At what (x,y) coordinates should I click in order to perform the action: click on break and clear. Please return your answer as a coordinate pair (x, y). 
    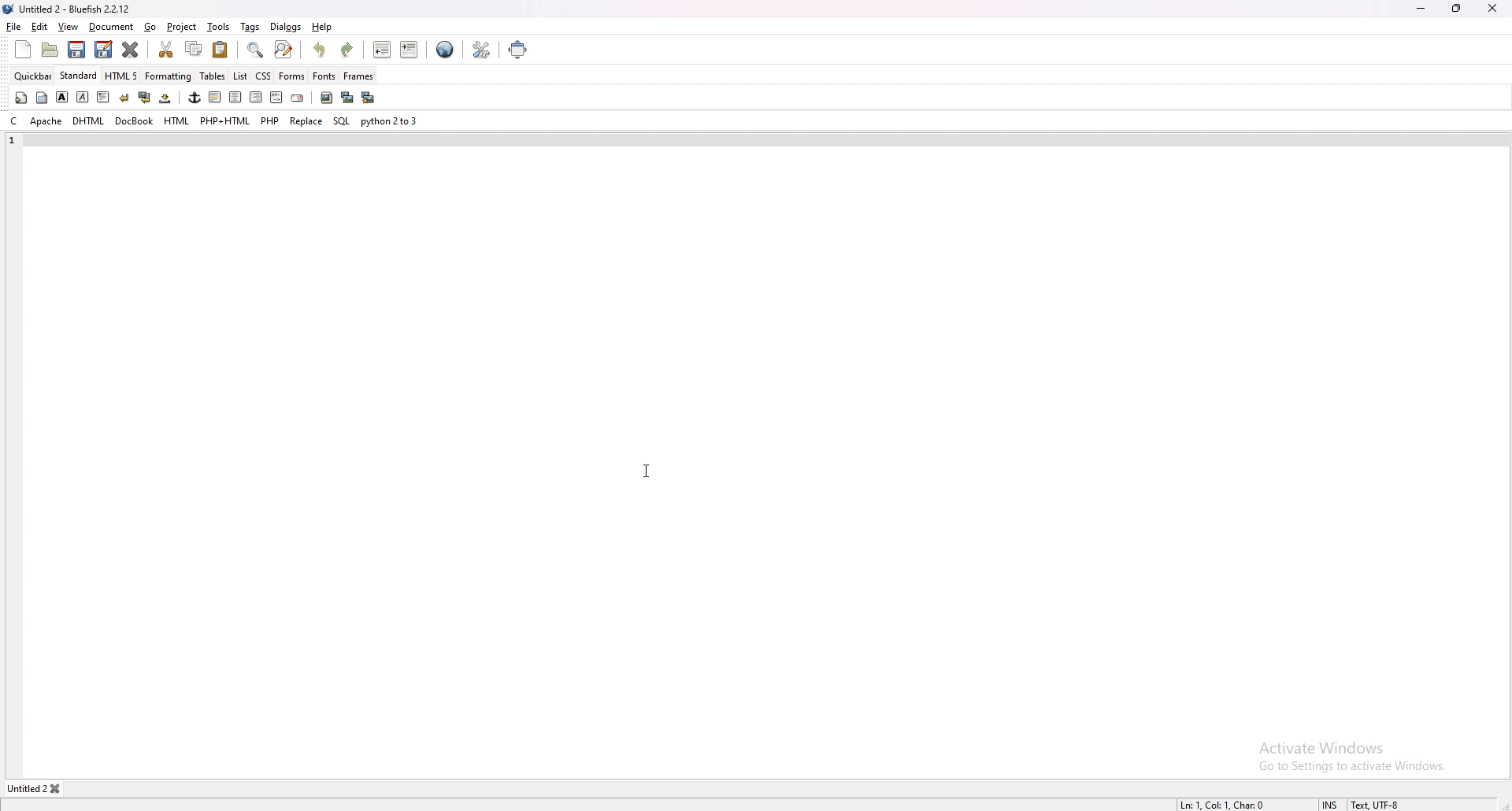
    Looking at the image, I should click on (145, 98).